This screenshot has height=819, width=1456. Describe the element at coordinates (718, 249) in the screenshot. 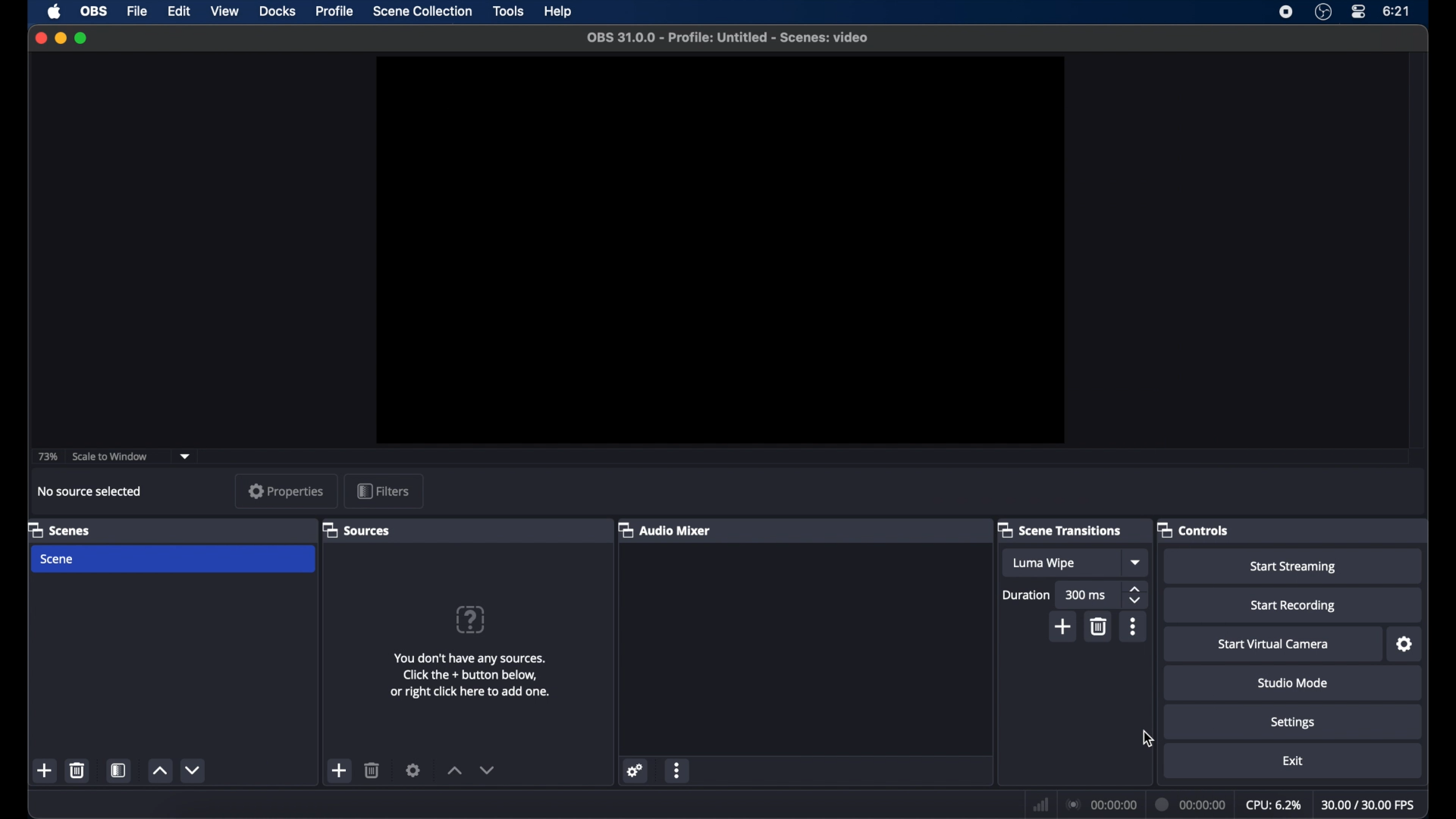

I see `preview` at that location.